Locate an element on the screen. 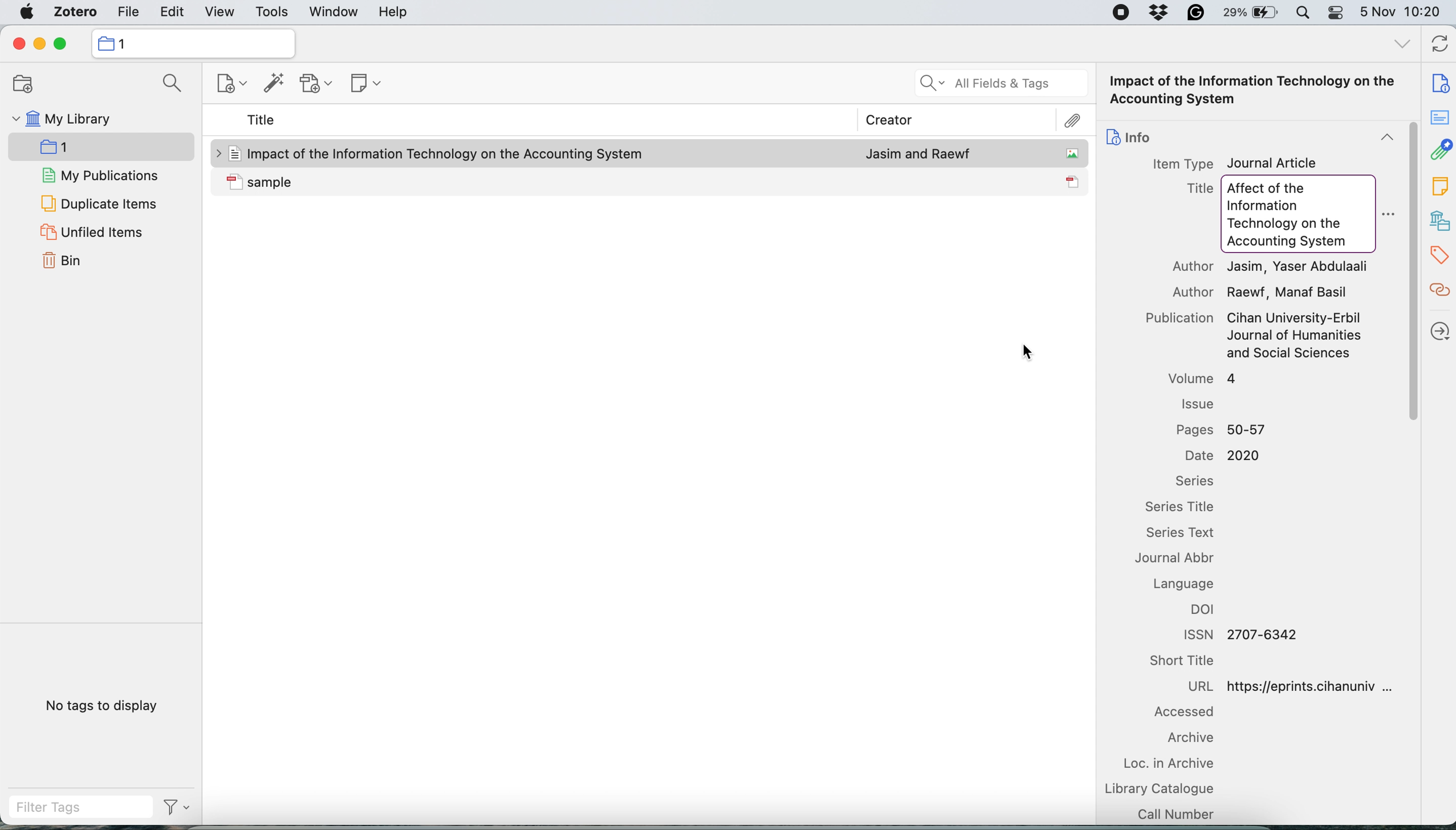  creator is located at coordinates (889, 119).